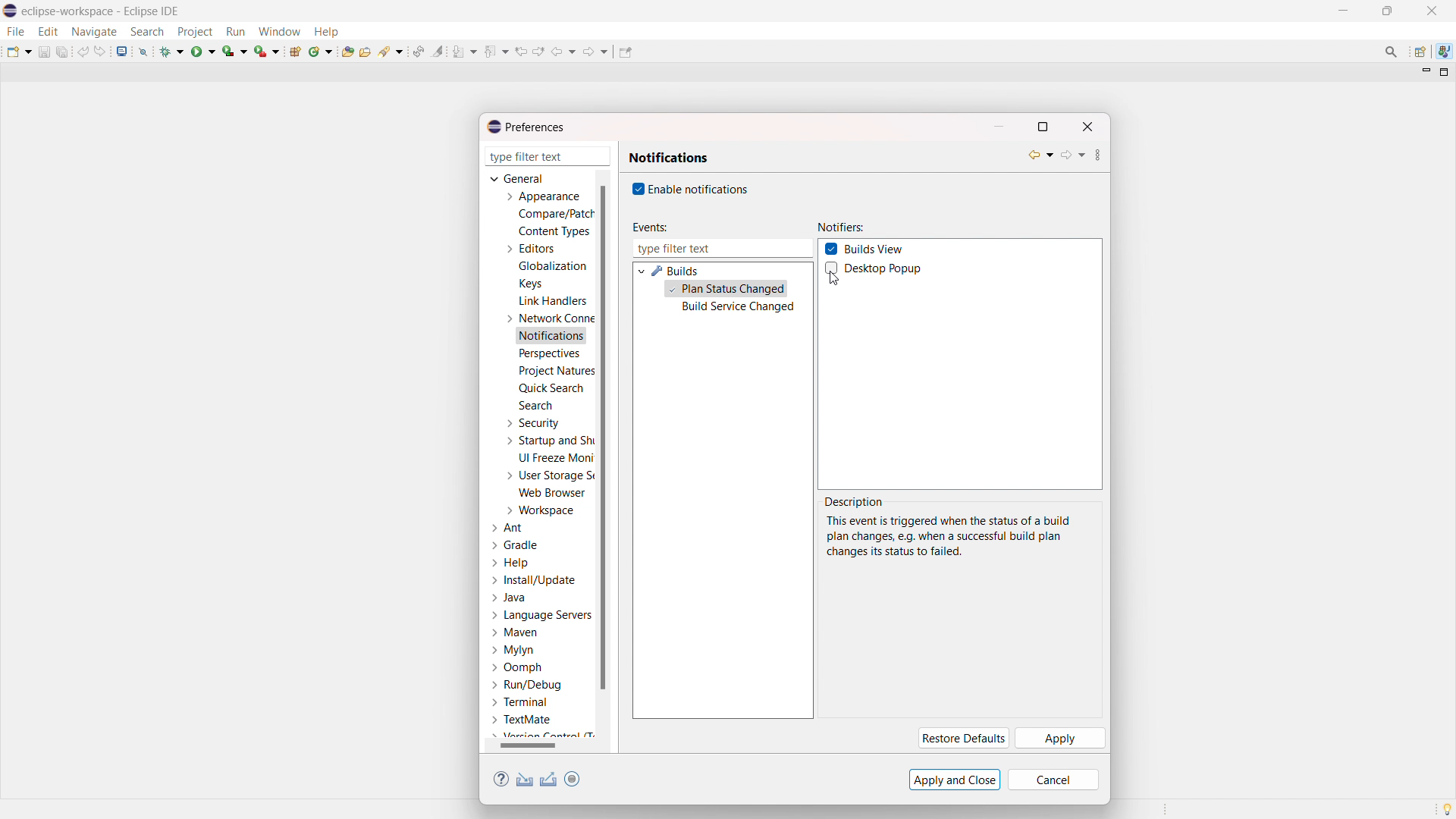  Describe the element at coordinates (833, 268) in the screenshot. I see `Checkbox` at that location.